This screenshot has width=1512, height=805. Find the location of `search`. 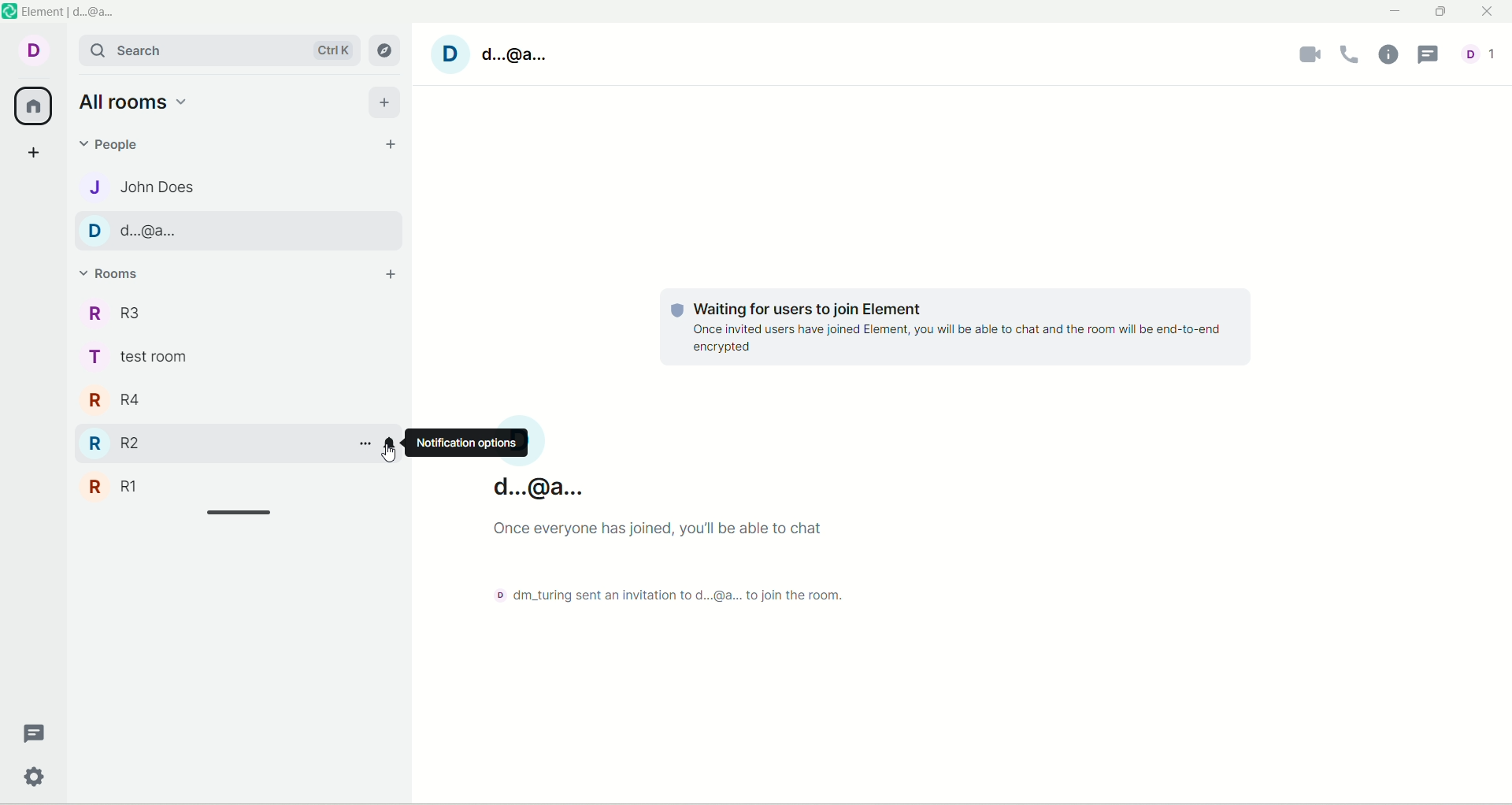

search is located at coordinates (217, 49).